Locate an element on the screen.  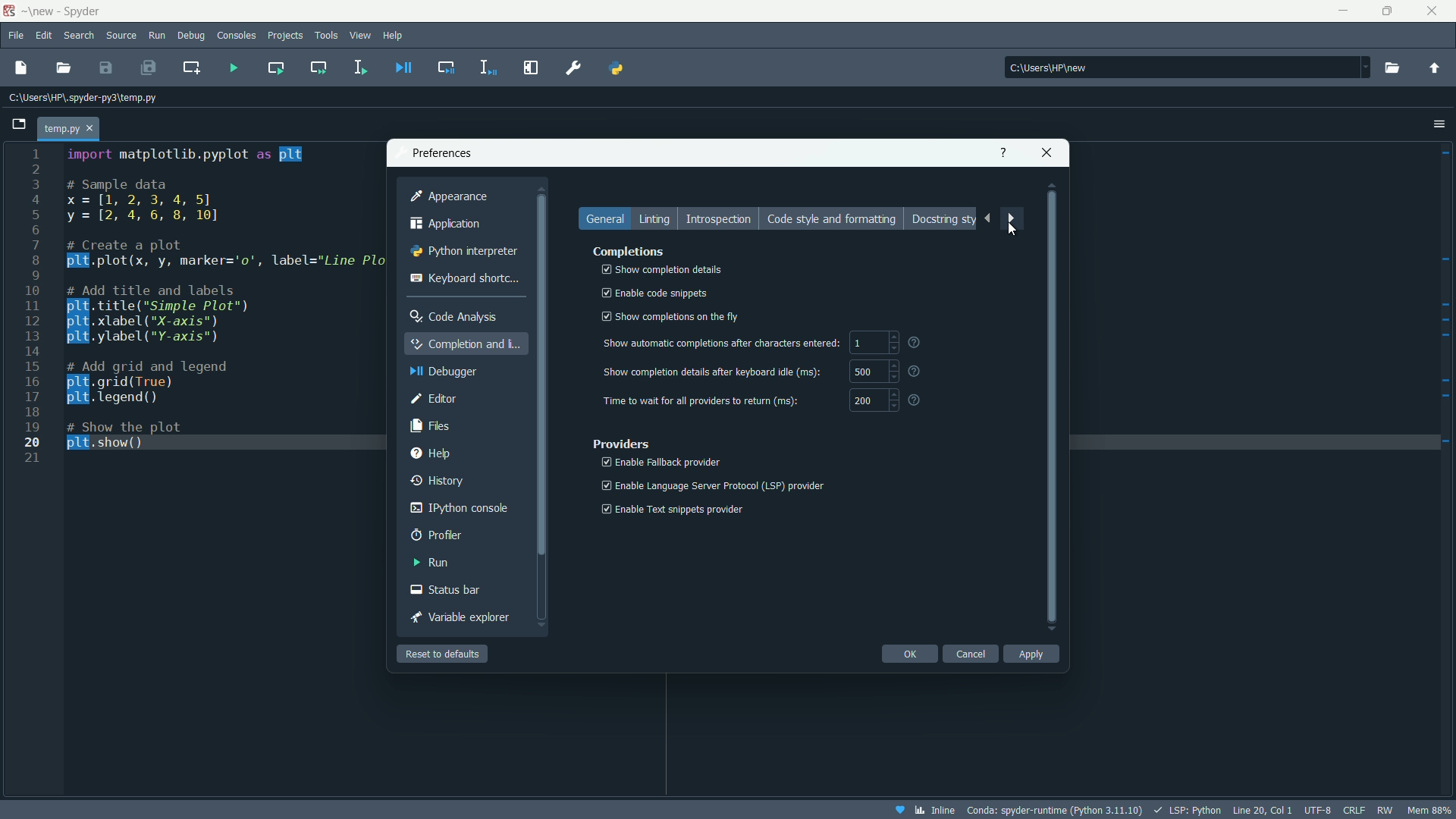
code style and formatting is located at coordinates (832, 219).